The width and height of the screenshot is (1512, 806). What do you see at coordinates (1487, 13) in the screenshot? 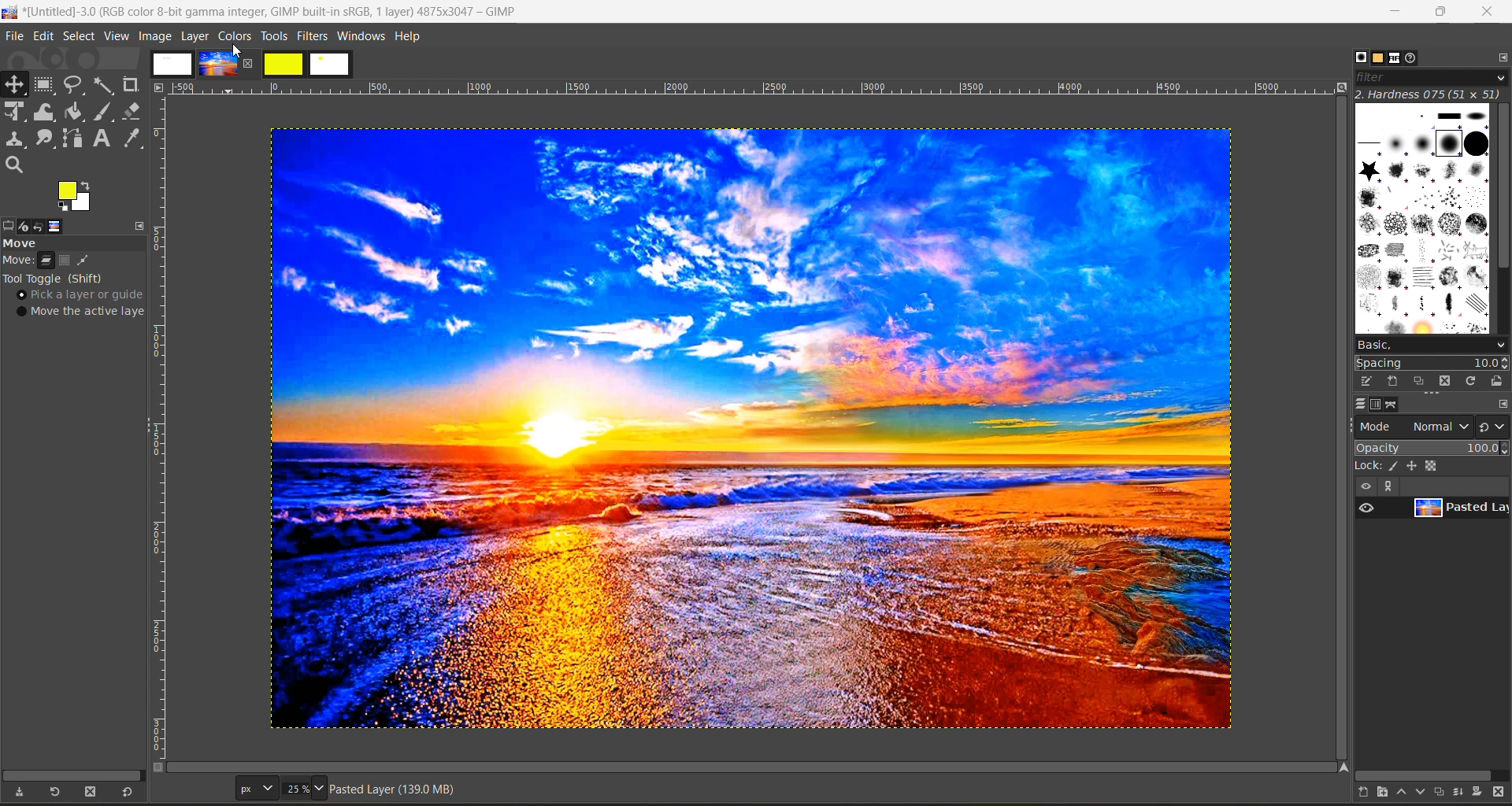
I see `close` at bounding box center [1487, 13].